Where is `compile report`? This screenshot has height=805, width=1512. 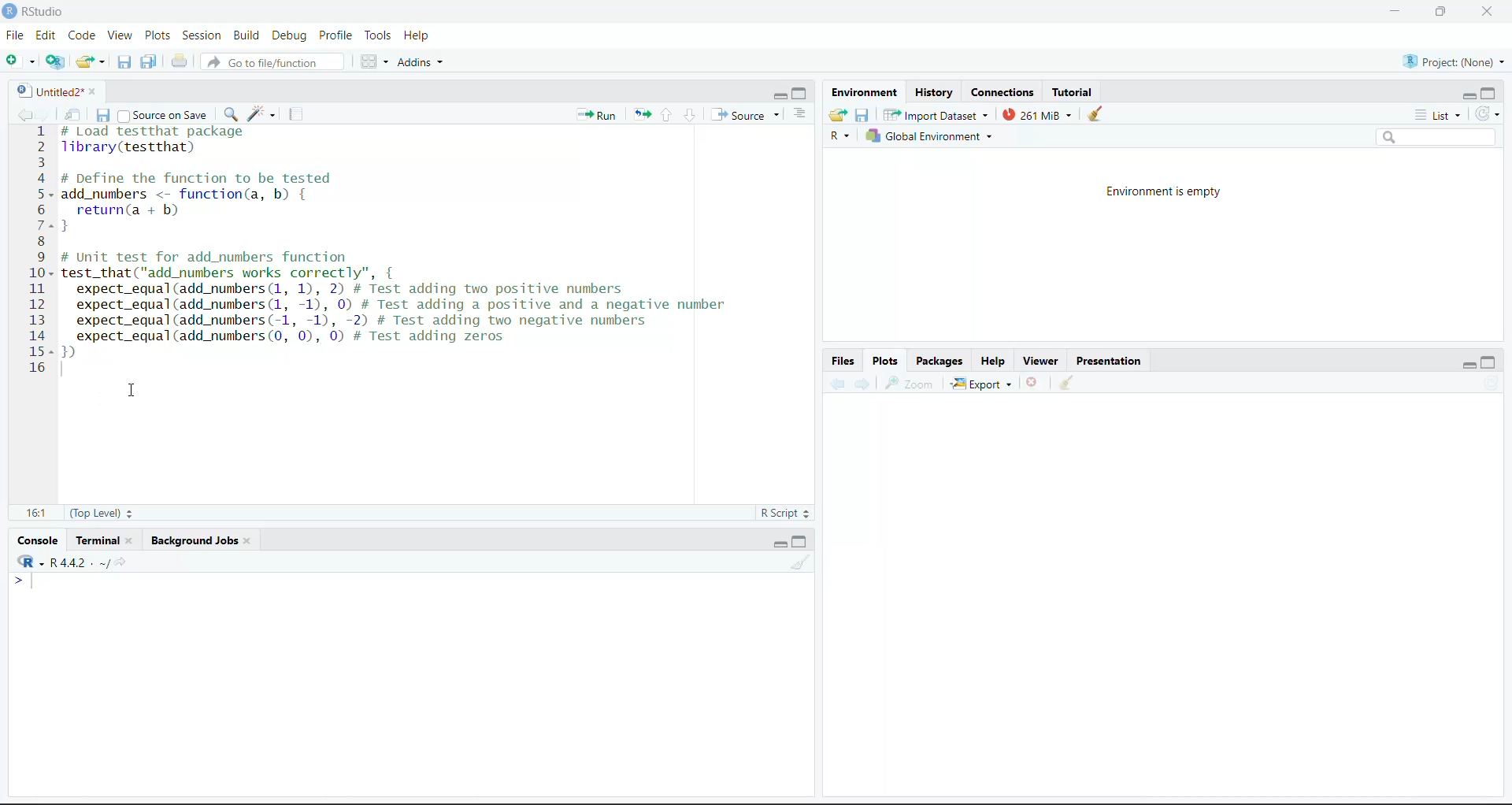 compile report is located at coordinates (297, 113).